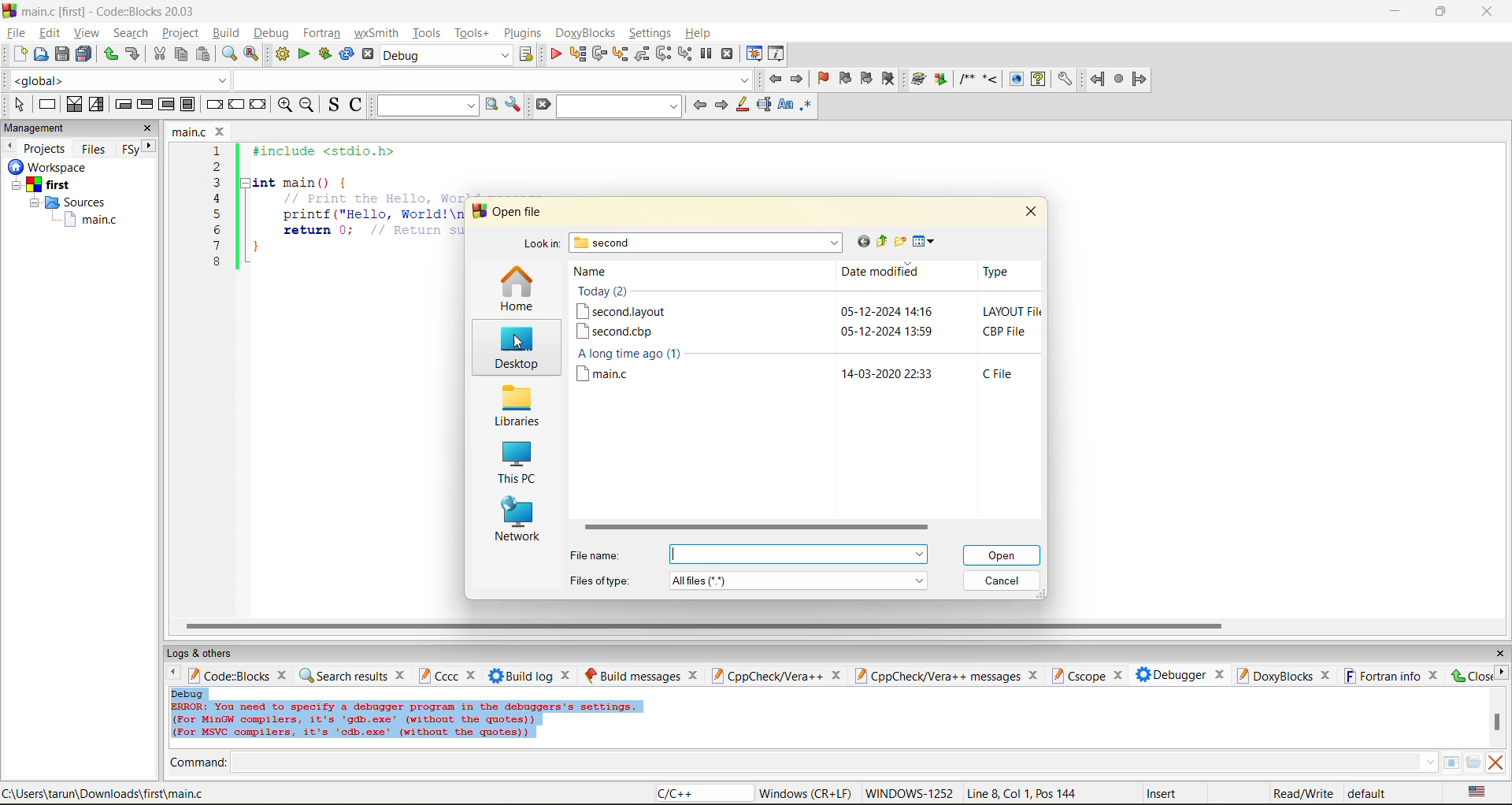 Image resolution: width=1512 pixels, height=805 pixels. I want to click on cppcheck/vera++ messages, so click(936, 676).